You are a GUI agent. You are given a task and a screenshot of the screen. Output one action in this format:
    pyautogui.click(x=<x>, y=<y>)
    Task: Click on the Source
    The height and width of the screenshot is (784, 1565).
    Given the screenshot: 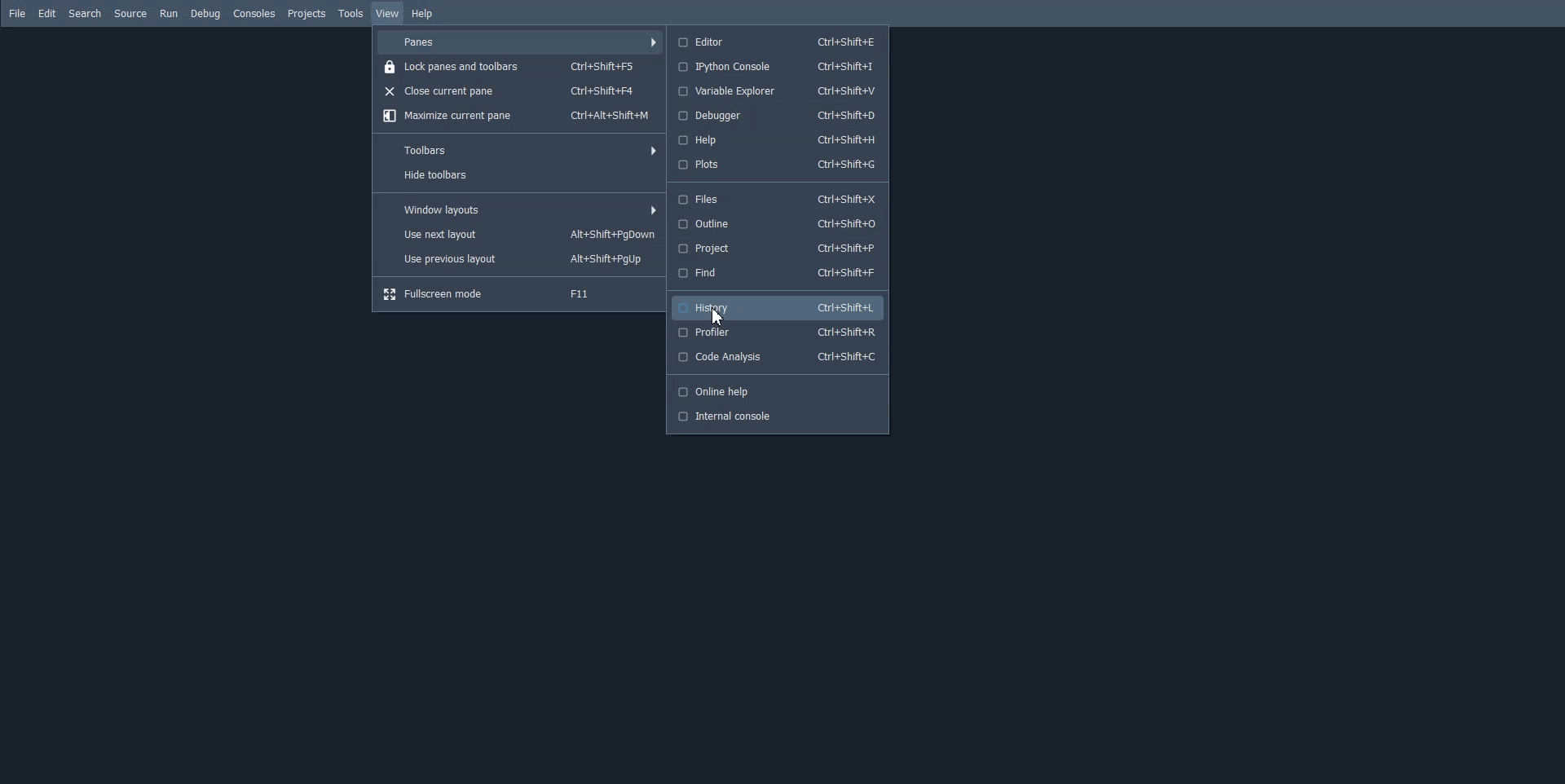 What is the action you would take?
    pyautogui.click(x=130, y=14)
    